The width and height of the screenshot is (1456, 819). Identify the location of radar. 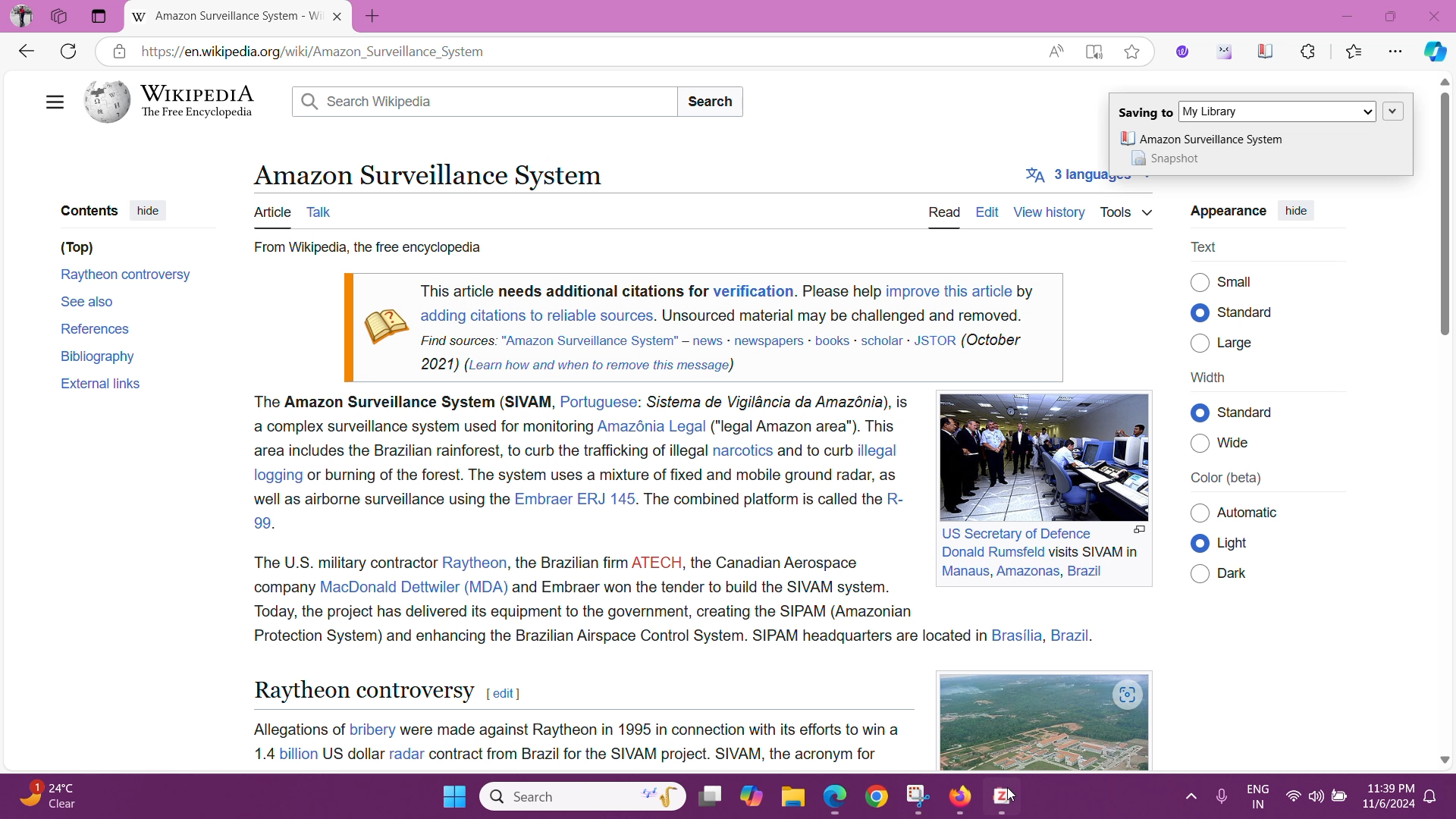
(406, 753).